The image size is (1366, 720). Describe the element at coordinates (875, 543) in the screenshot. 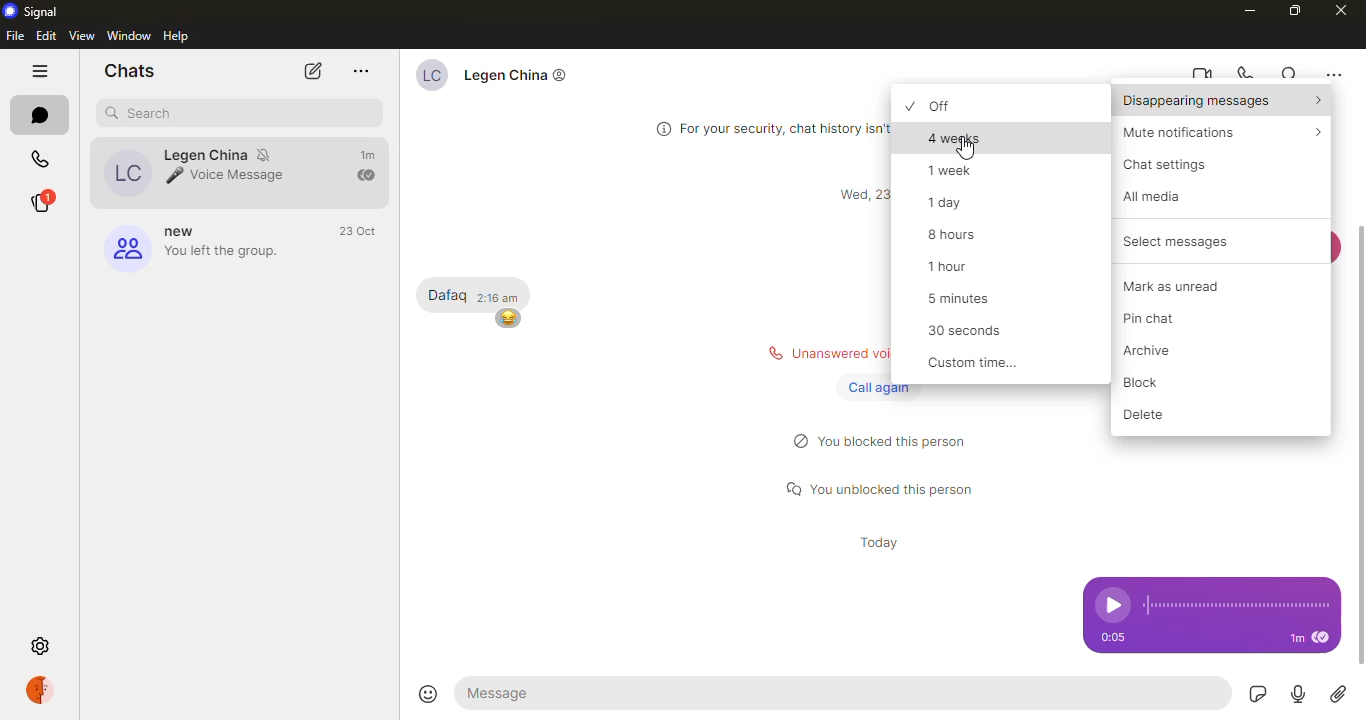

I see `time` at that location.